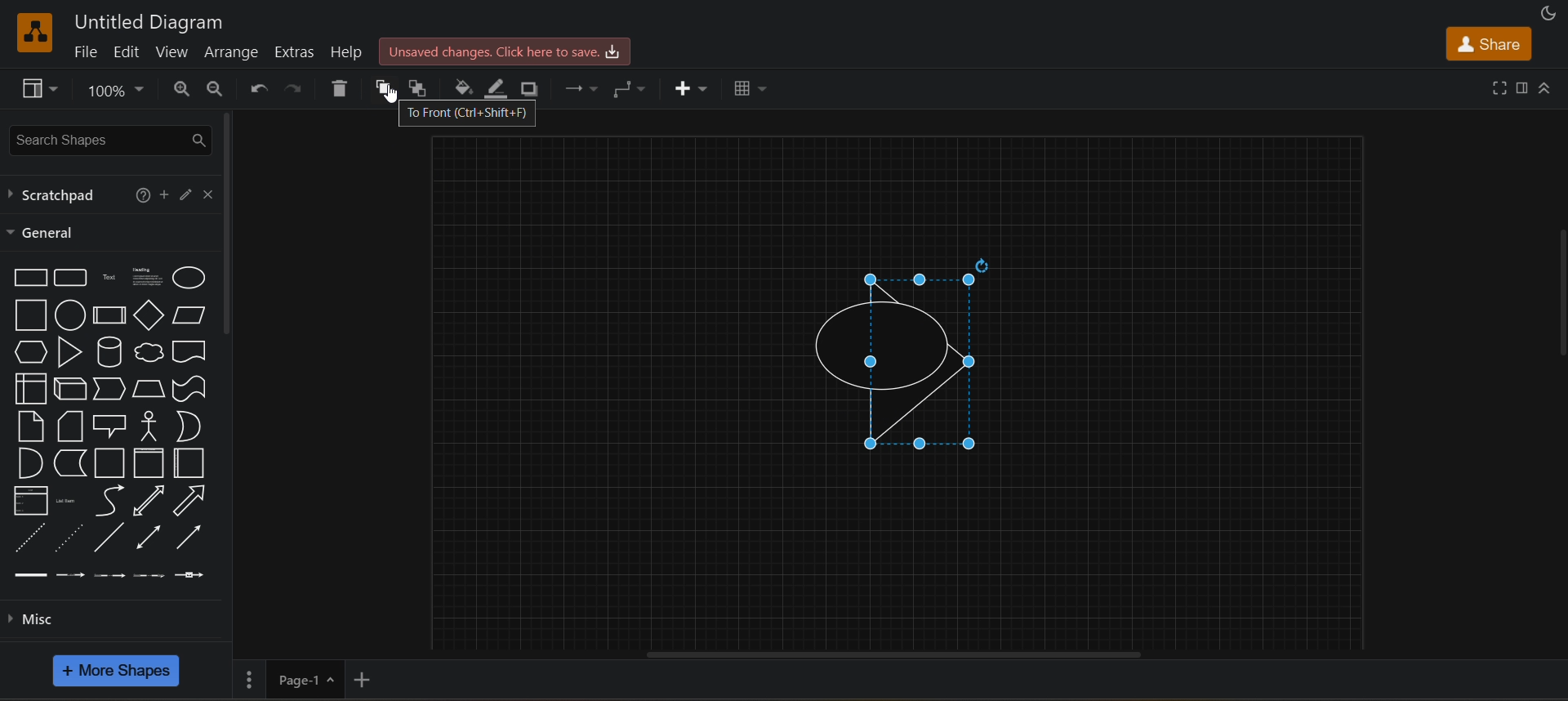 This screenshot has height=701, width=1568. I want to click on Directional arrow, so click(187, 500).